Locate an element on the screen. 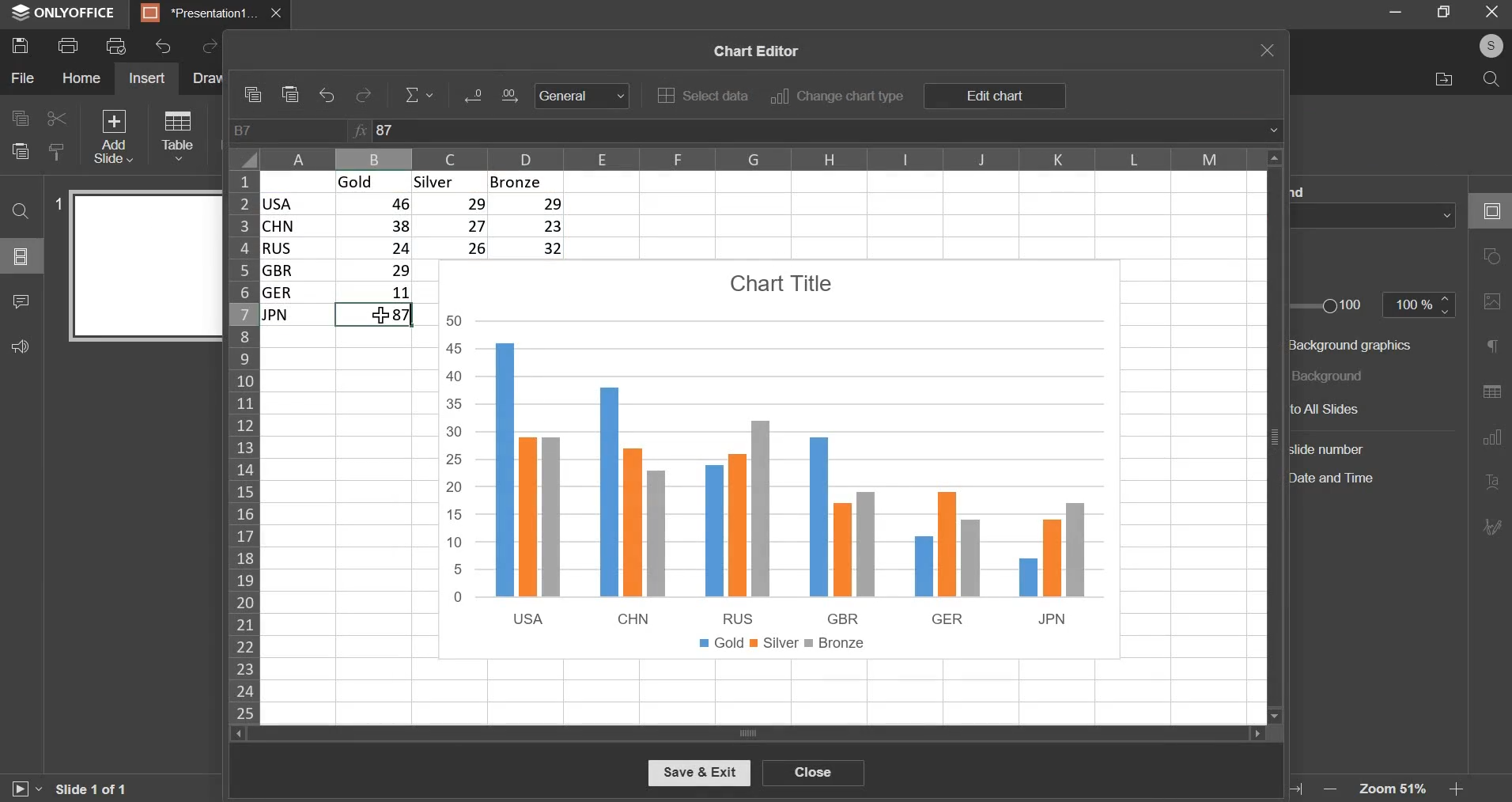 The height and width of the screenshot is (802, 1512). zoom in is located at coordinates (1457, 790).